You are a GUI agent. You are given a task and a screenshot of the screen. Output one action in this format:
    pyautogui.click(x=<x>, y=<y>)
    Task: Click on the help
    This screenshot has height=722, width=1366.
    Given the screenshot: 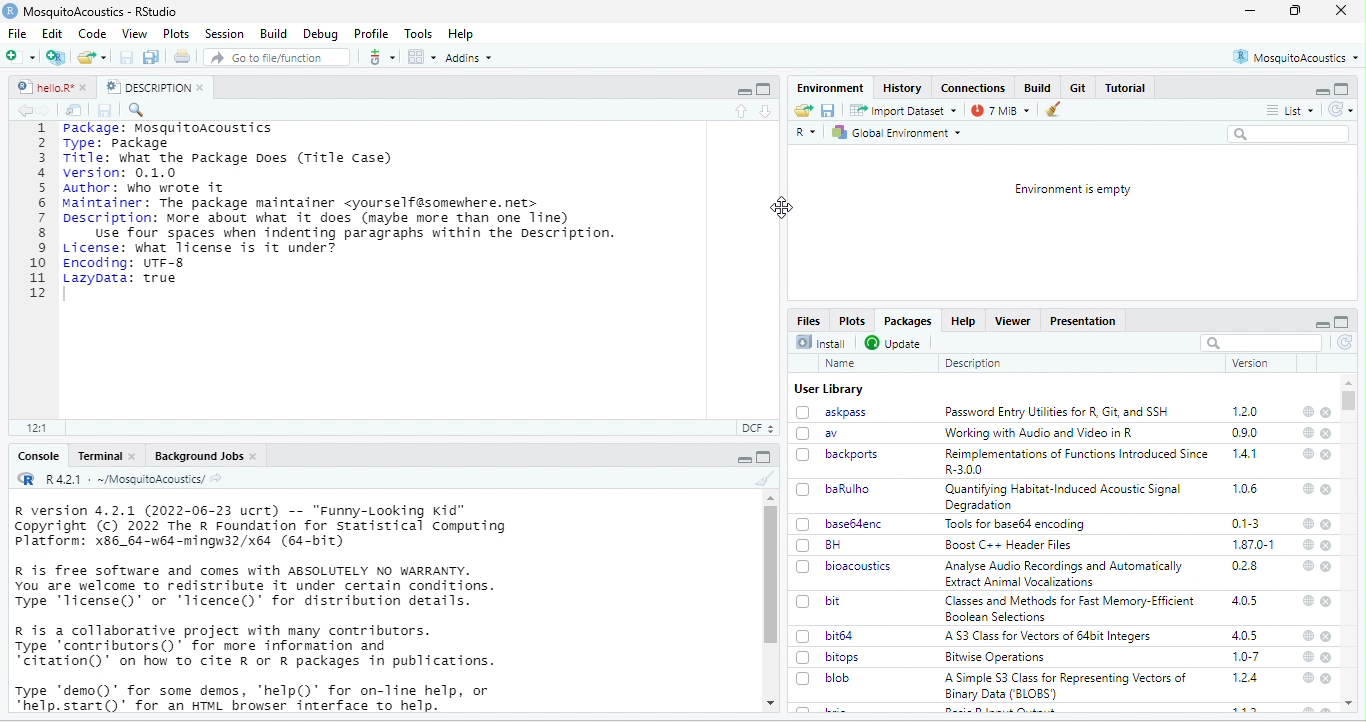 What is the action you would take?
    pyautogui.click(x=1306, y=434)
    